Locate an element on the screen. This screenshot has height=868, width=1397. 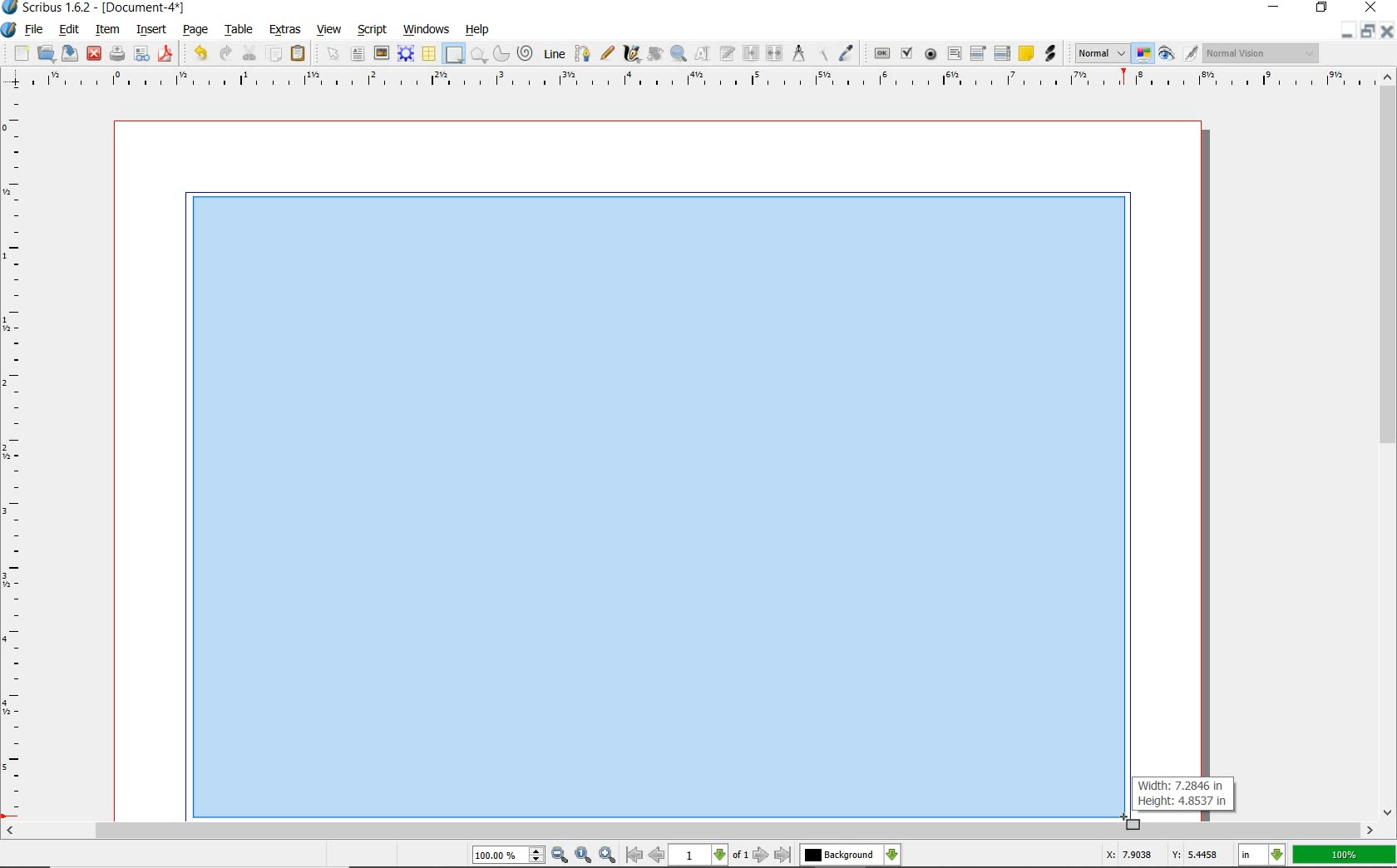
go to previous page is located at coordinates (658, 856).